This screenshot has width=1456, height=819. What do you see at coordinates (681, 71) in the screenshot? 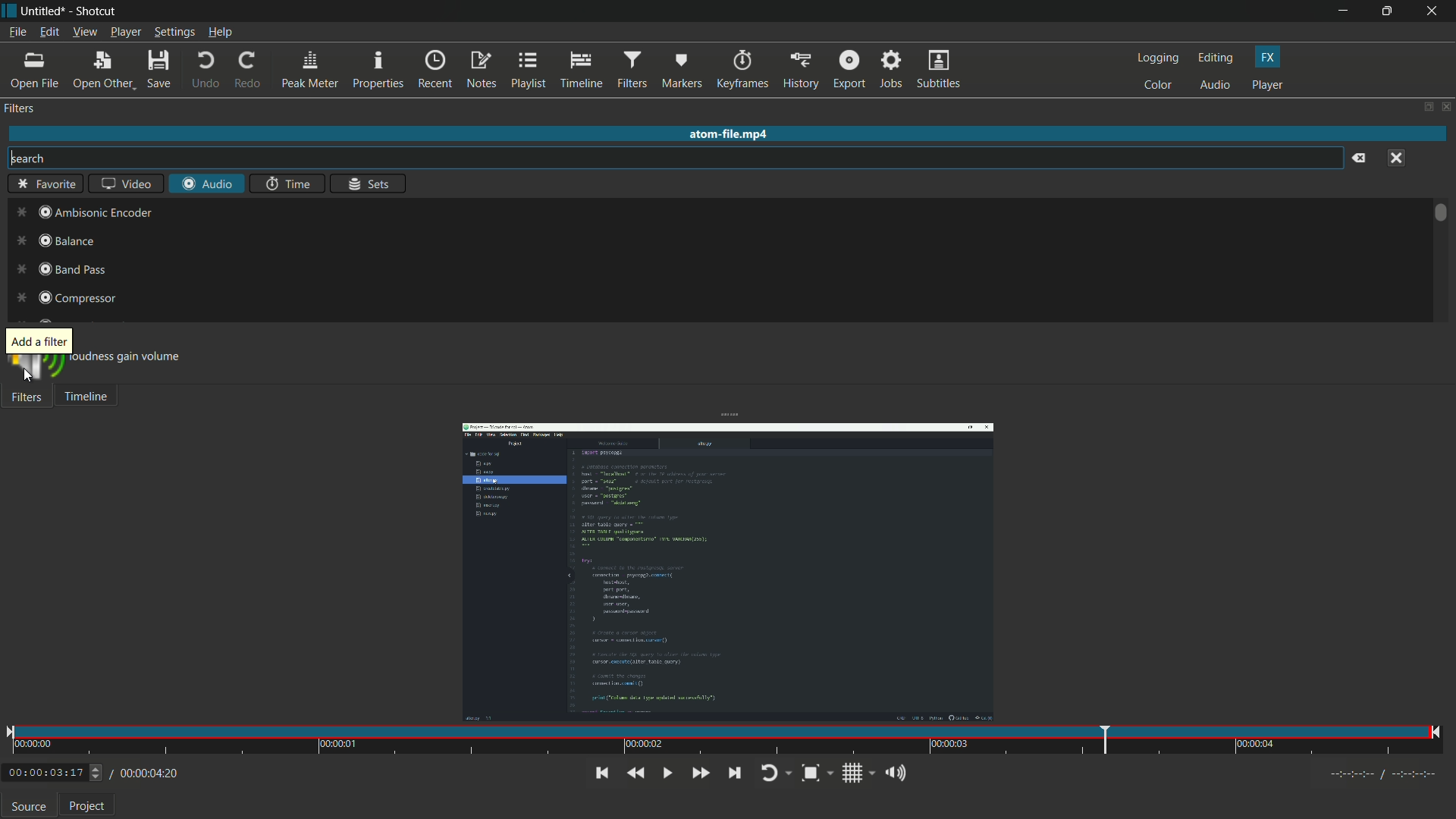
I see `markers` at bounding box center [681, 71].